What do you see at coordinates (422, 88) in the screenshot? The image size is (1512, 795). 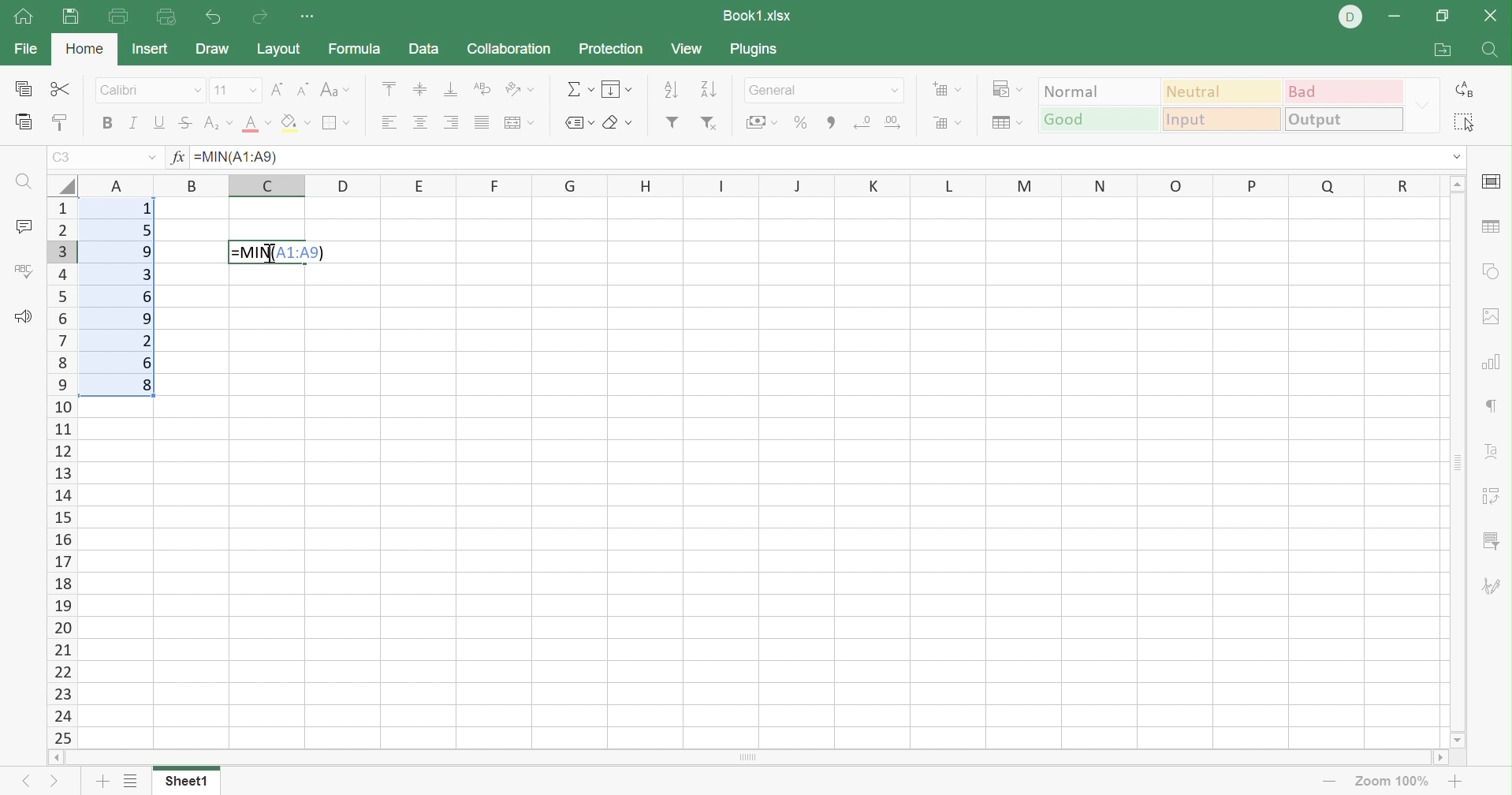 I see `Align Middle` at bounding box center [422, 88].